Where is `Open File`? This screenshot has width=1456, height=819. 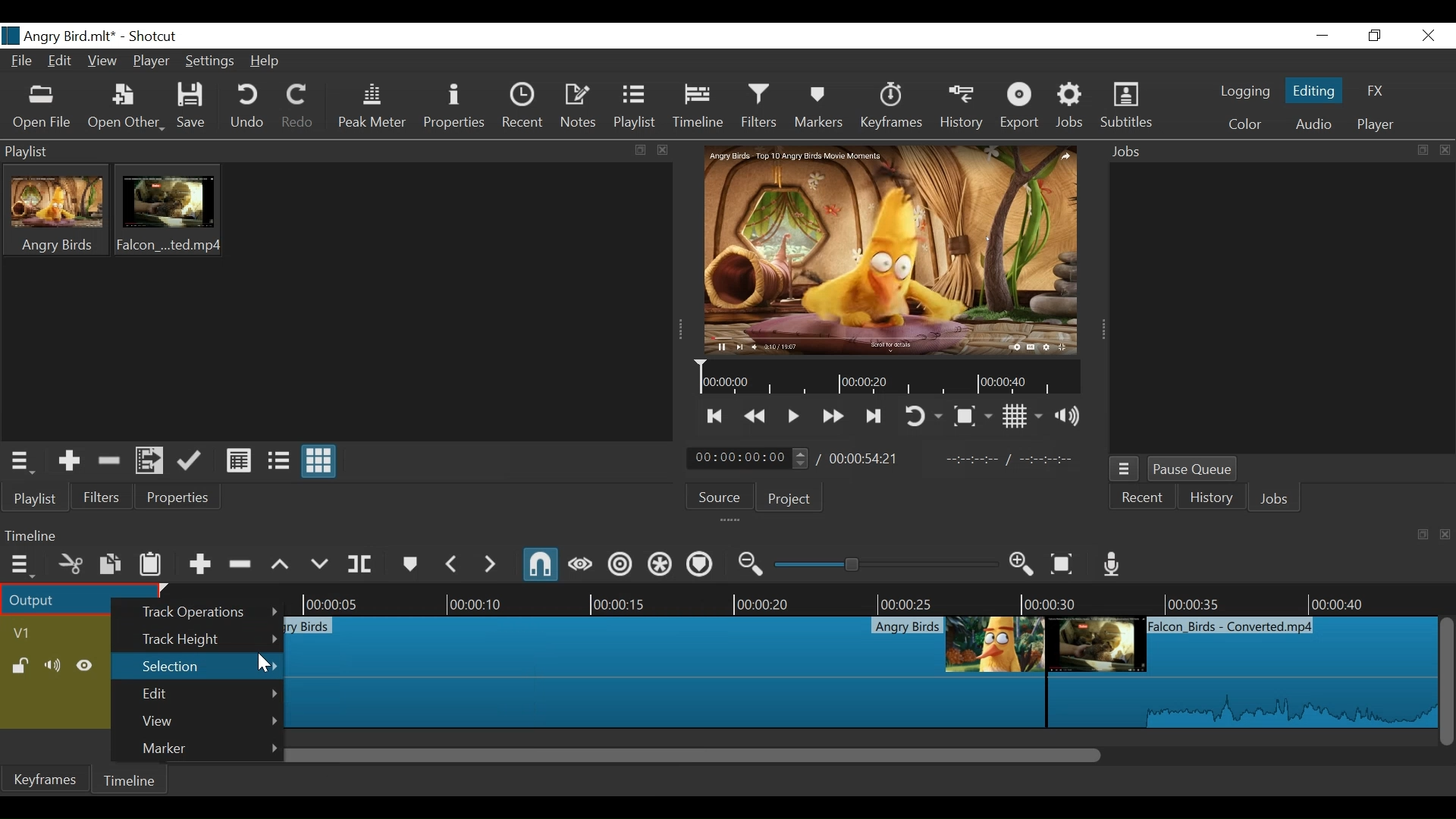
Open File is located at coordinates (126, 108).